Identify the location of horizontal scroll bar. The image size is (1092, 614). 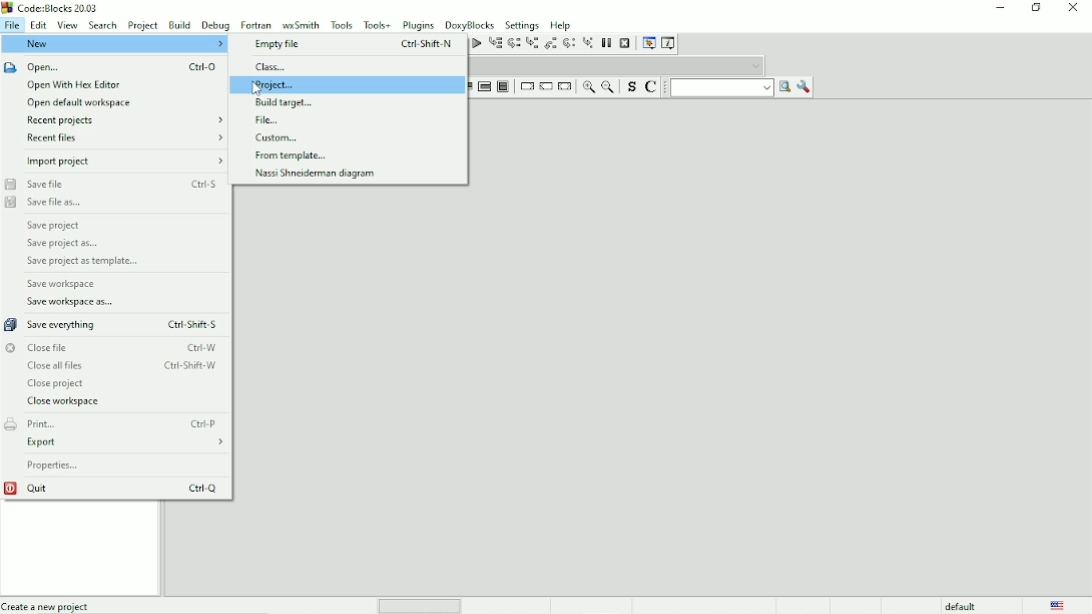
(424, 605).